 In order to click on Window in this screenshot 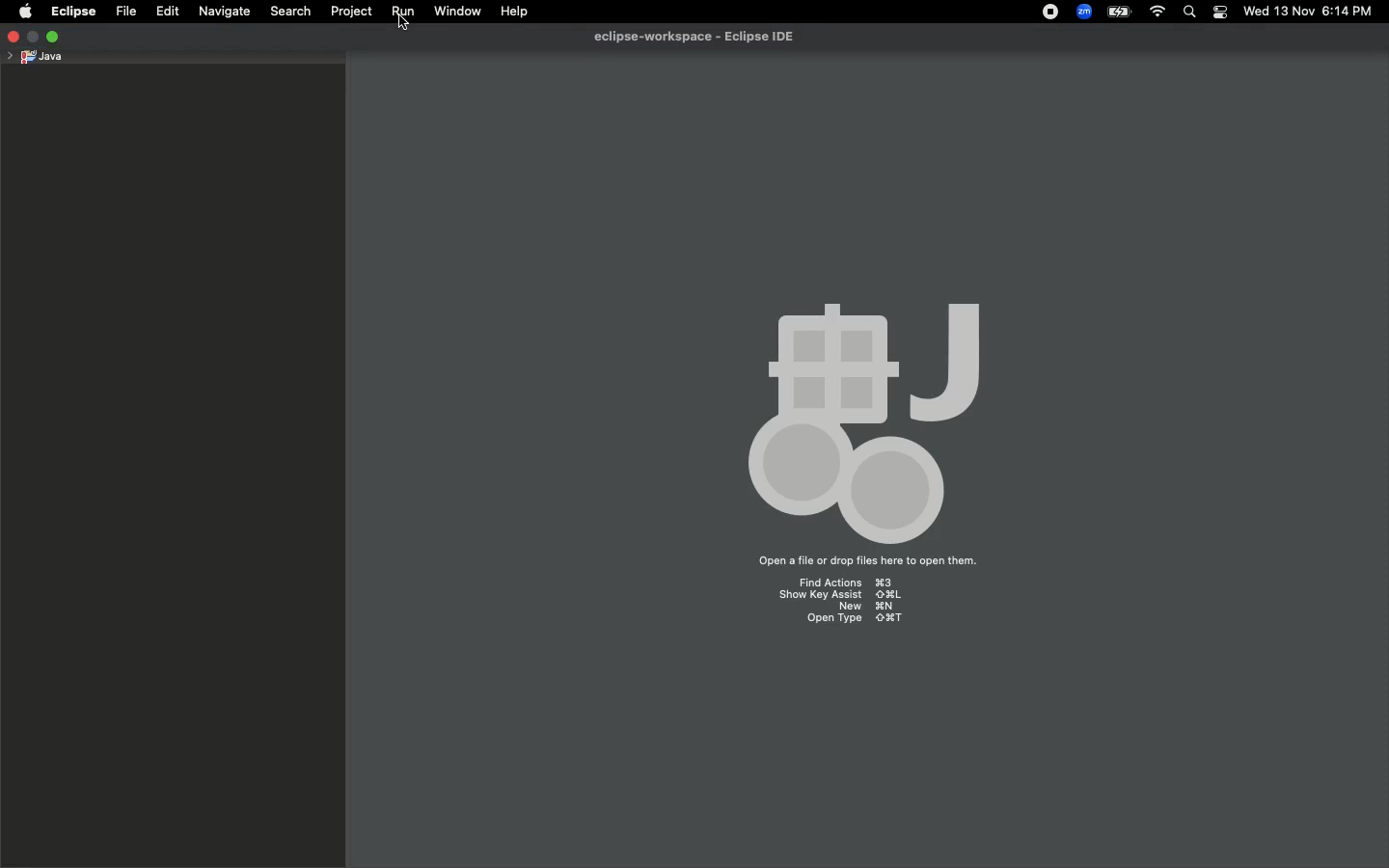, I will do `click(454, 13)`.